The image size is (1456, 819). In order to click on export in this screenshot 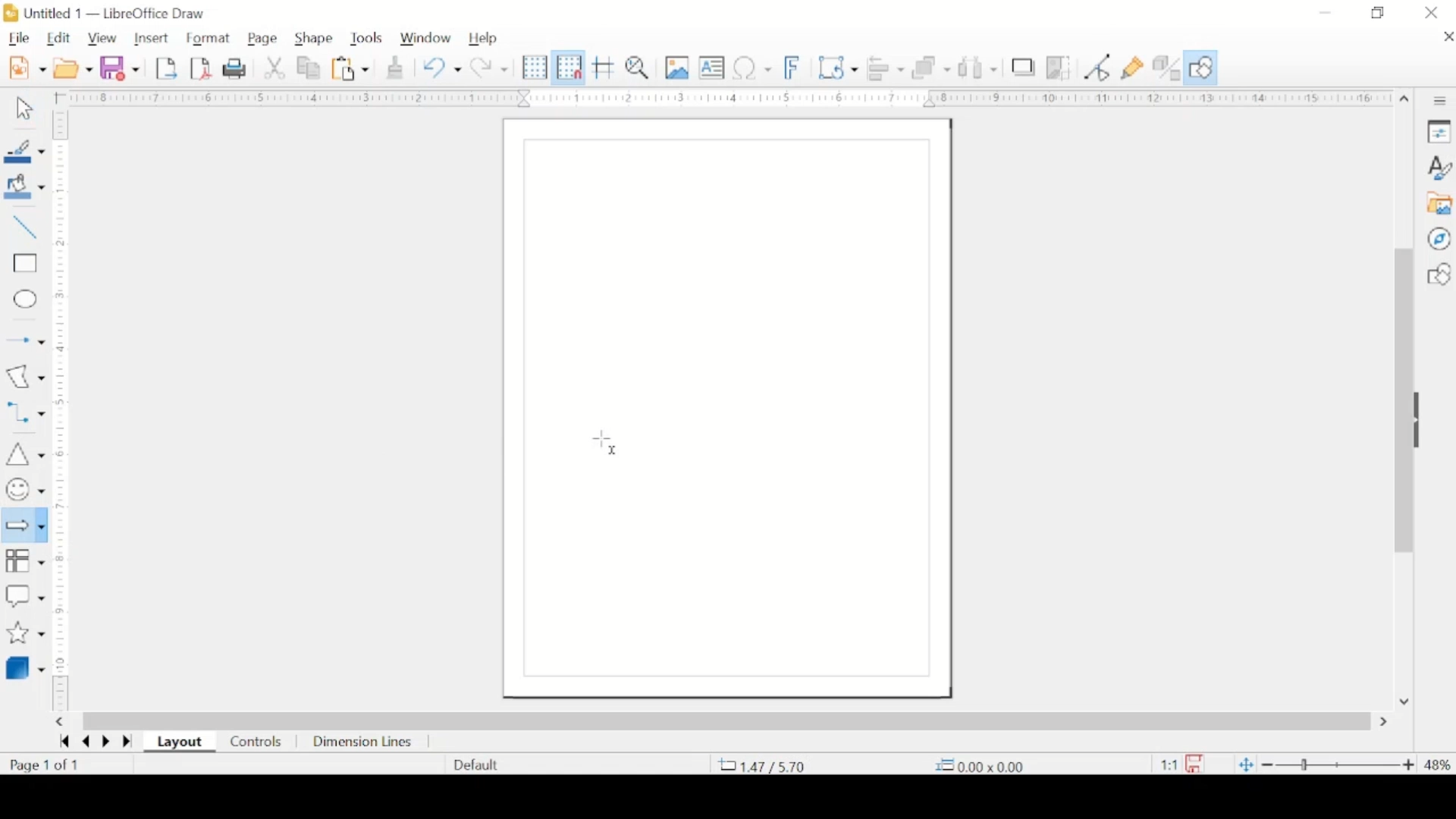, I will do `click(166, 68)`.